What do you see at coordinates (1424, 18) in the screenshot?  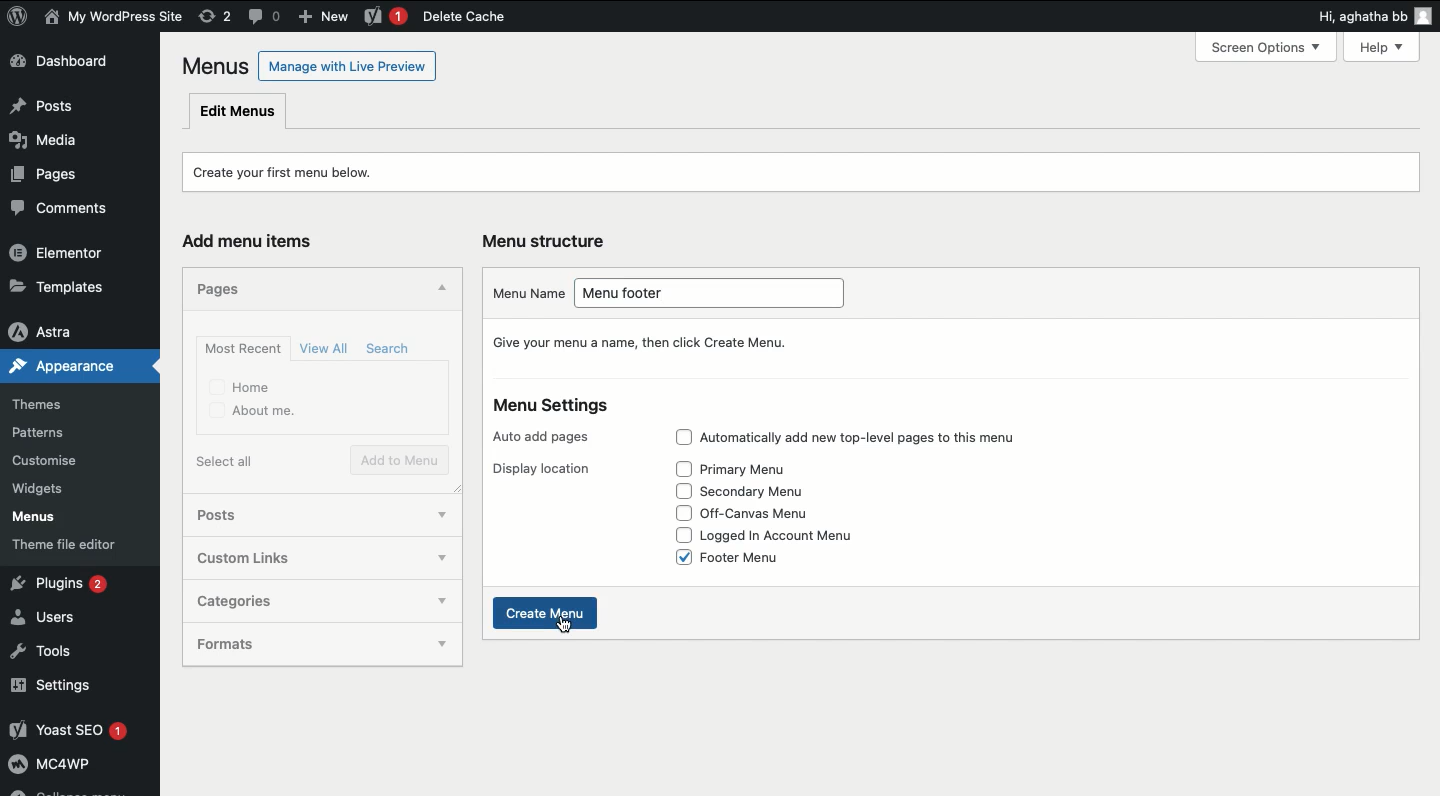 I see `user icon` at bounding box center [1424, 18].